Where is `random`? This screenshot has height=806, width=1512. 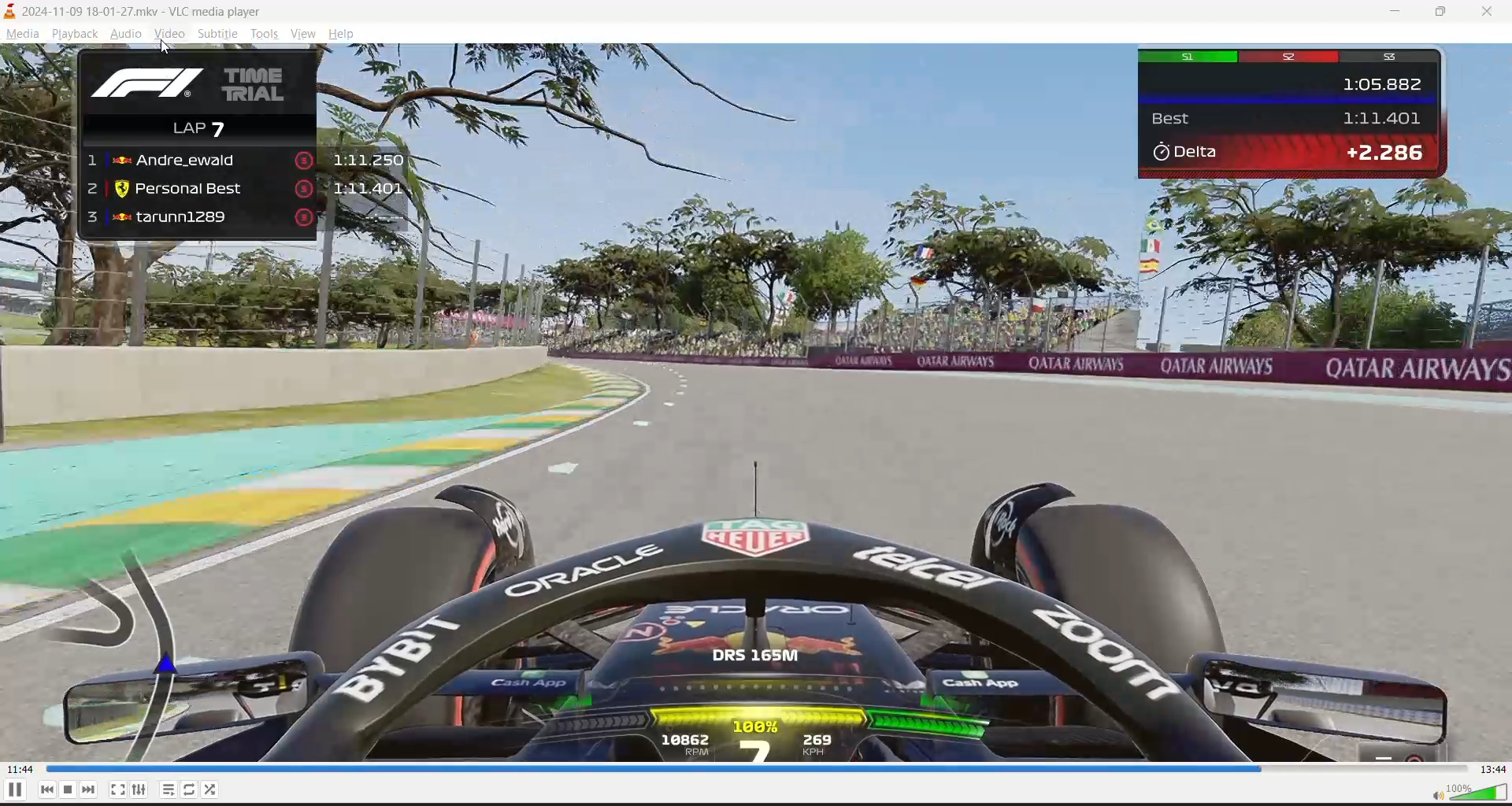
random is located at coordinates (215, 788).